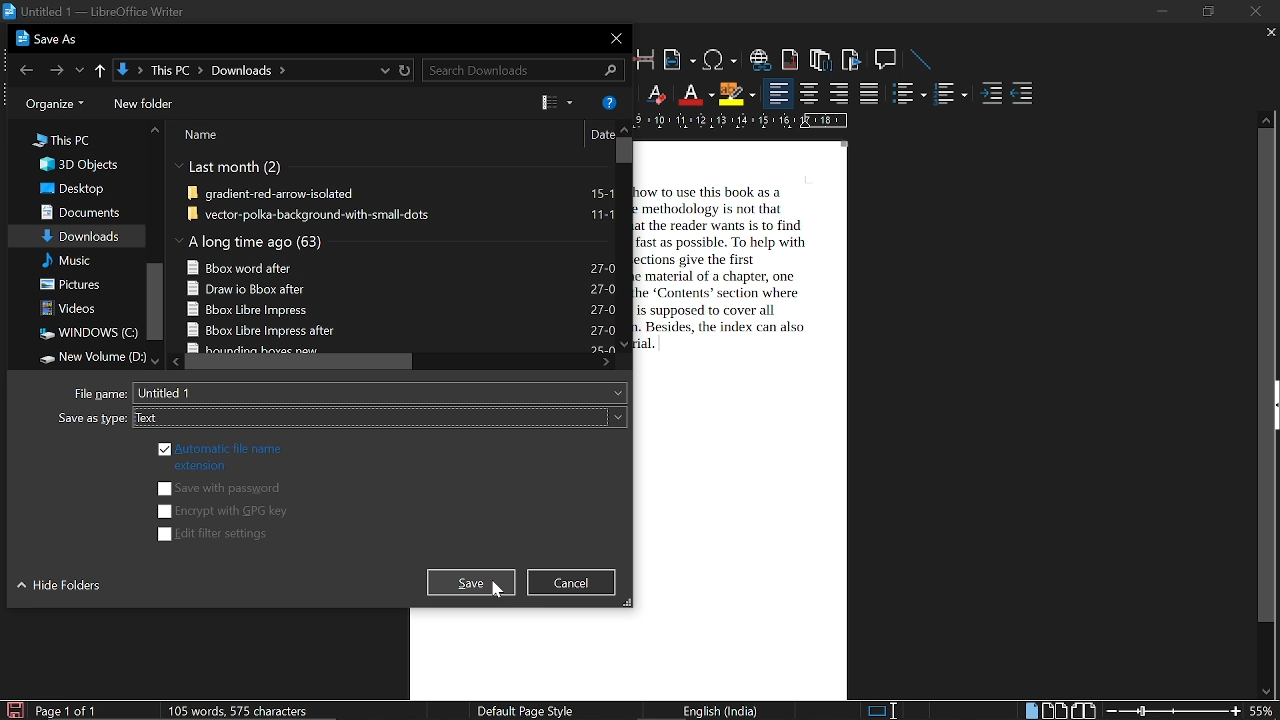 This screenshot has height=720, width=1280. What do you see at coordinates (155, 131) in the screenshot?
I see `move up` at bounding box center [155, 131].